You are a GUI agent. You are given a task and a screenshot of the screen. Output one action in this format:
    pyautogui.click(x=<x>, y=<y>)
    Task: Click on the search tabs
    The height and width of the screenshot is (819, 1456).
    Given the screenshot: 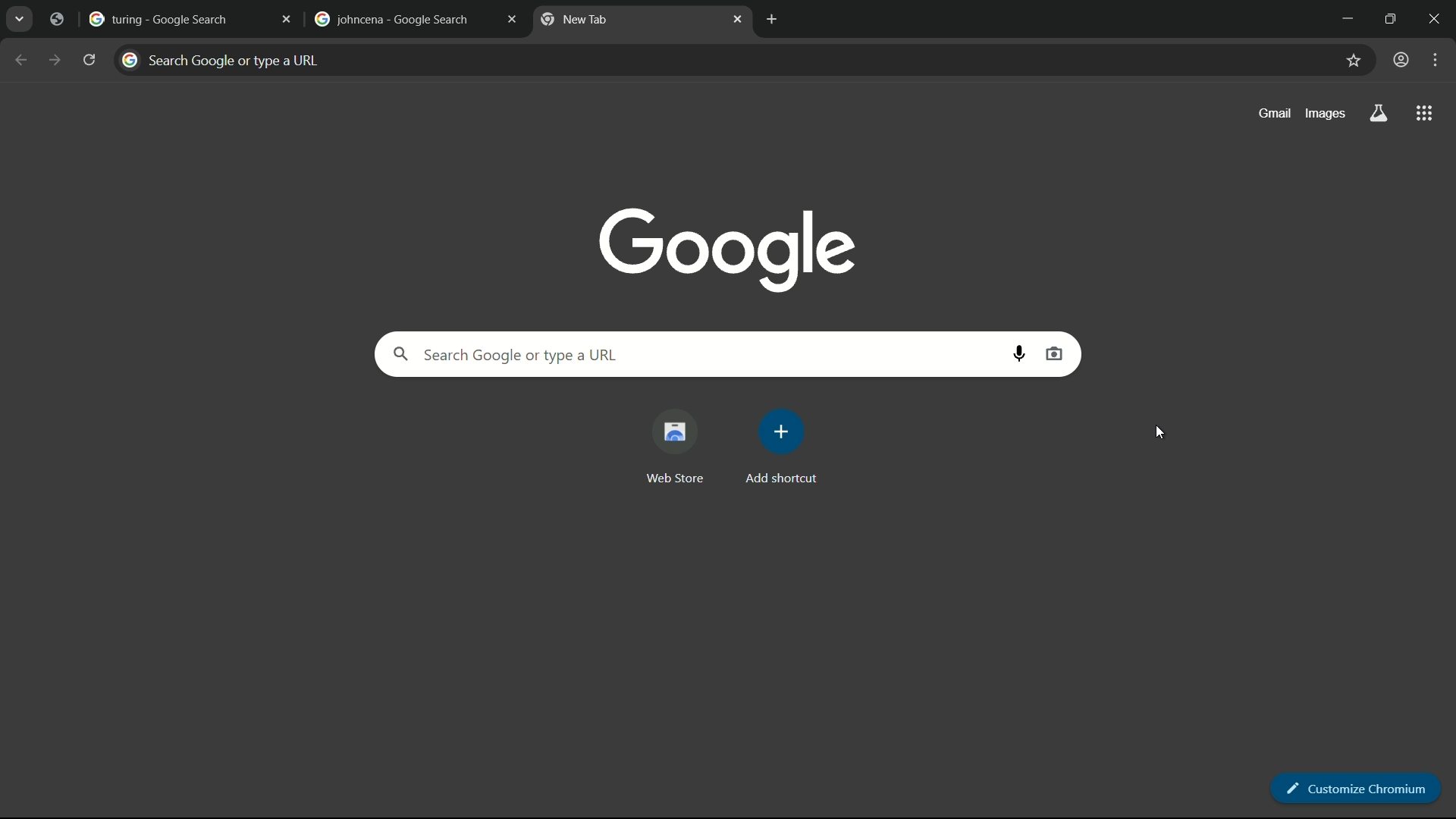 What is the action you would take?
    pyautogui.click(x=21, y=19)
    